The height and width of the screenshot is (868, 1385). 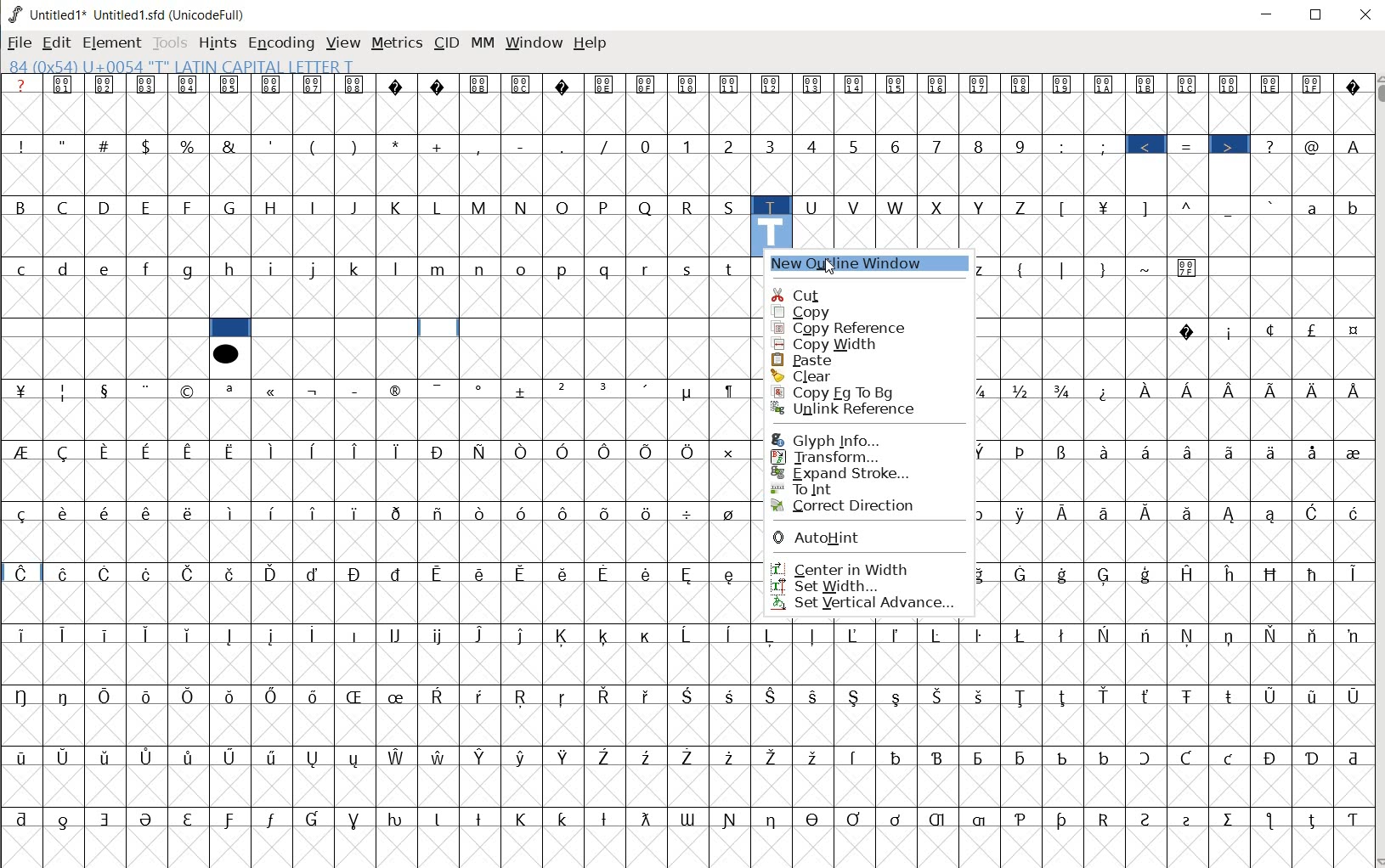 I want to click on Symbol, so click(x=190, y=451).